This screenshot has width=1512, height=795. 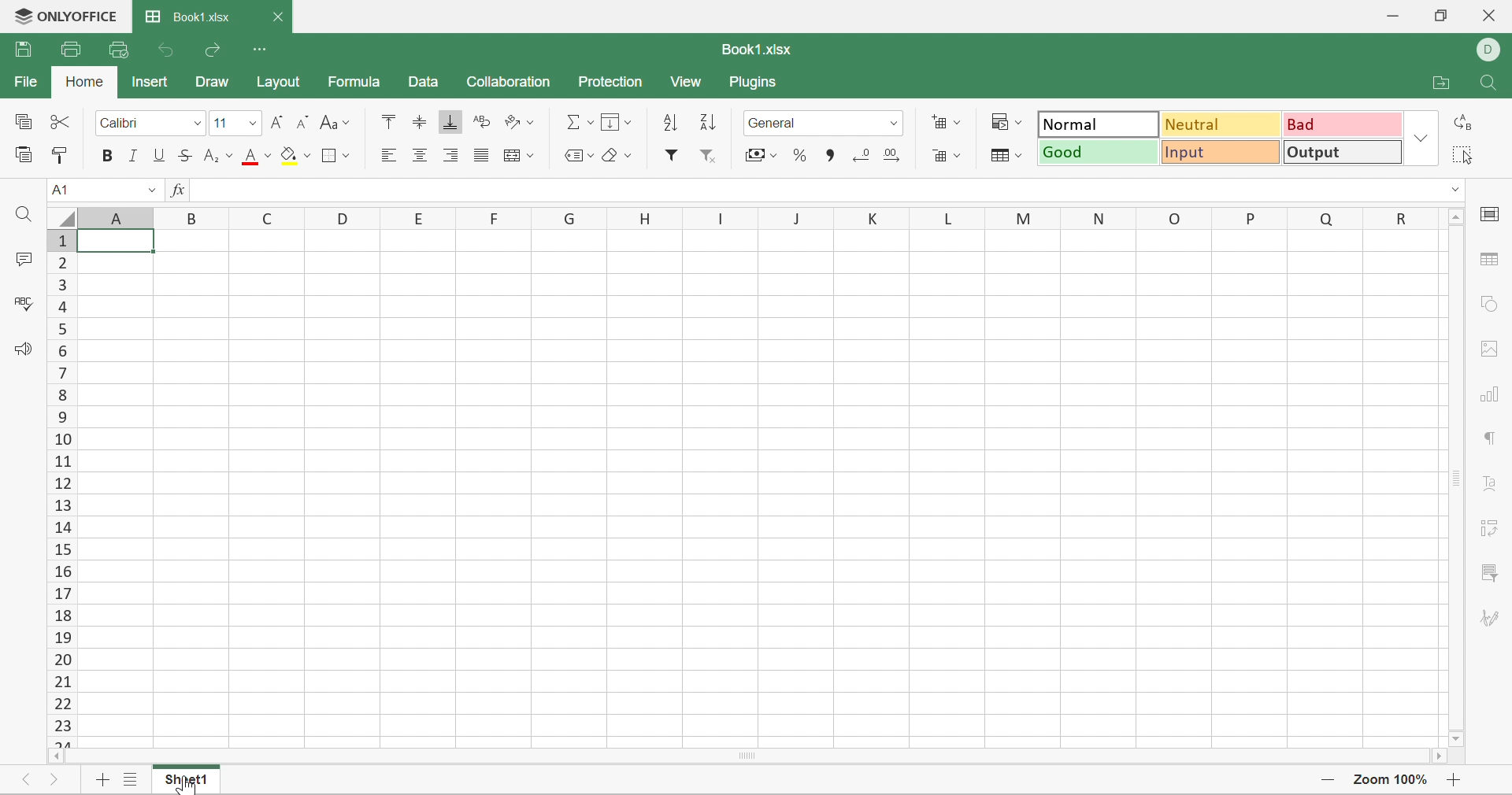 What do you see at coordinates (27, 83) in the screenshot?
I see `File` at bounding box center [27, 83].